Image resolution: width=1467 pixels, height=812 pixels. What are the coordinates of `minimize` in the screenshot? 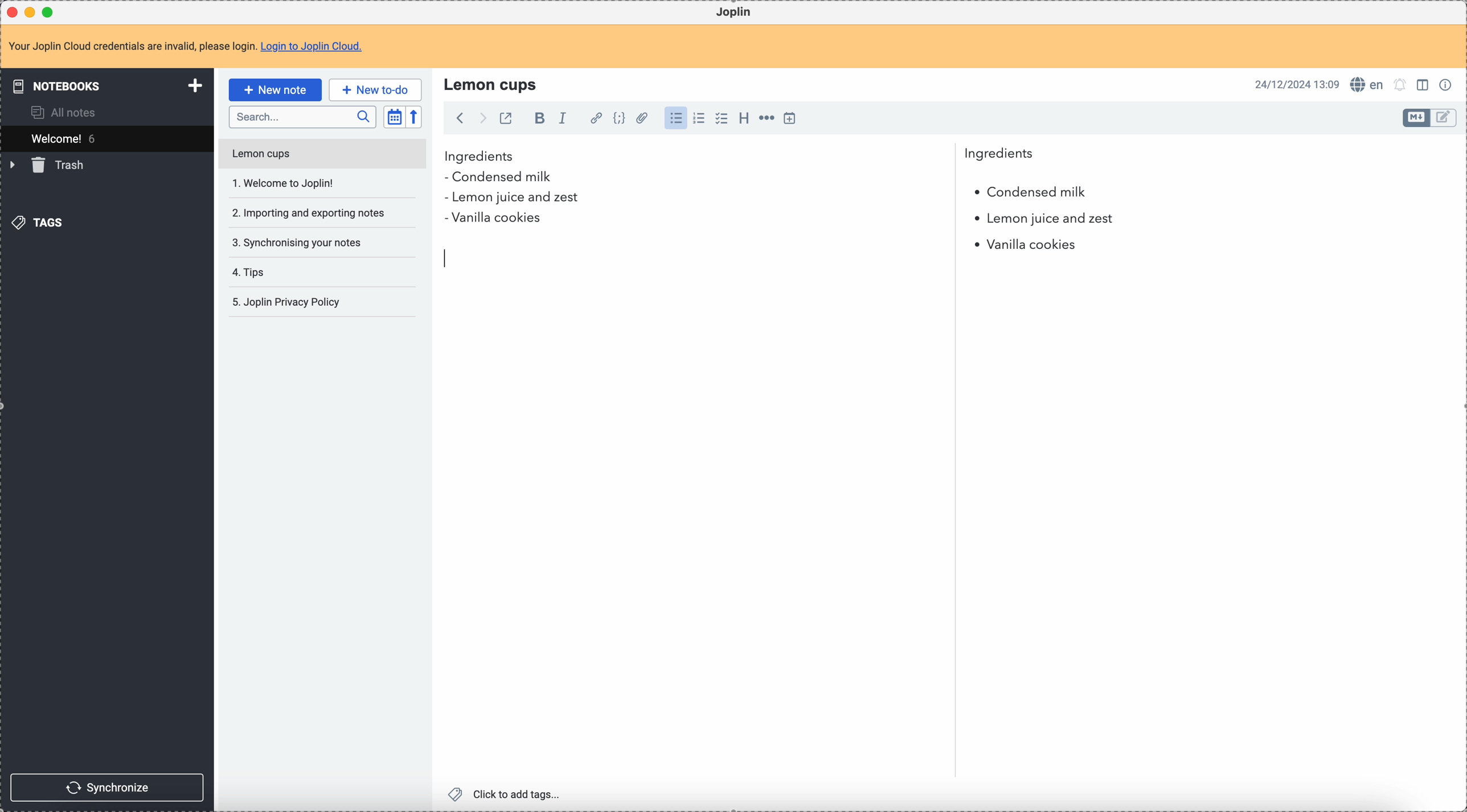 It's located at (32, 13).